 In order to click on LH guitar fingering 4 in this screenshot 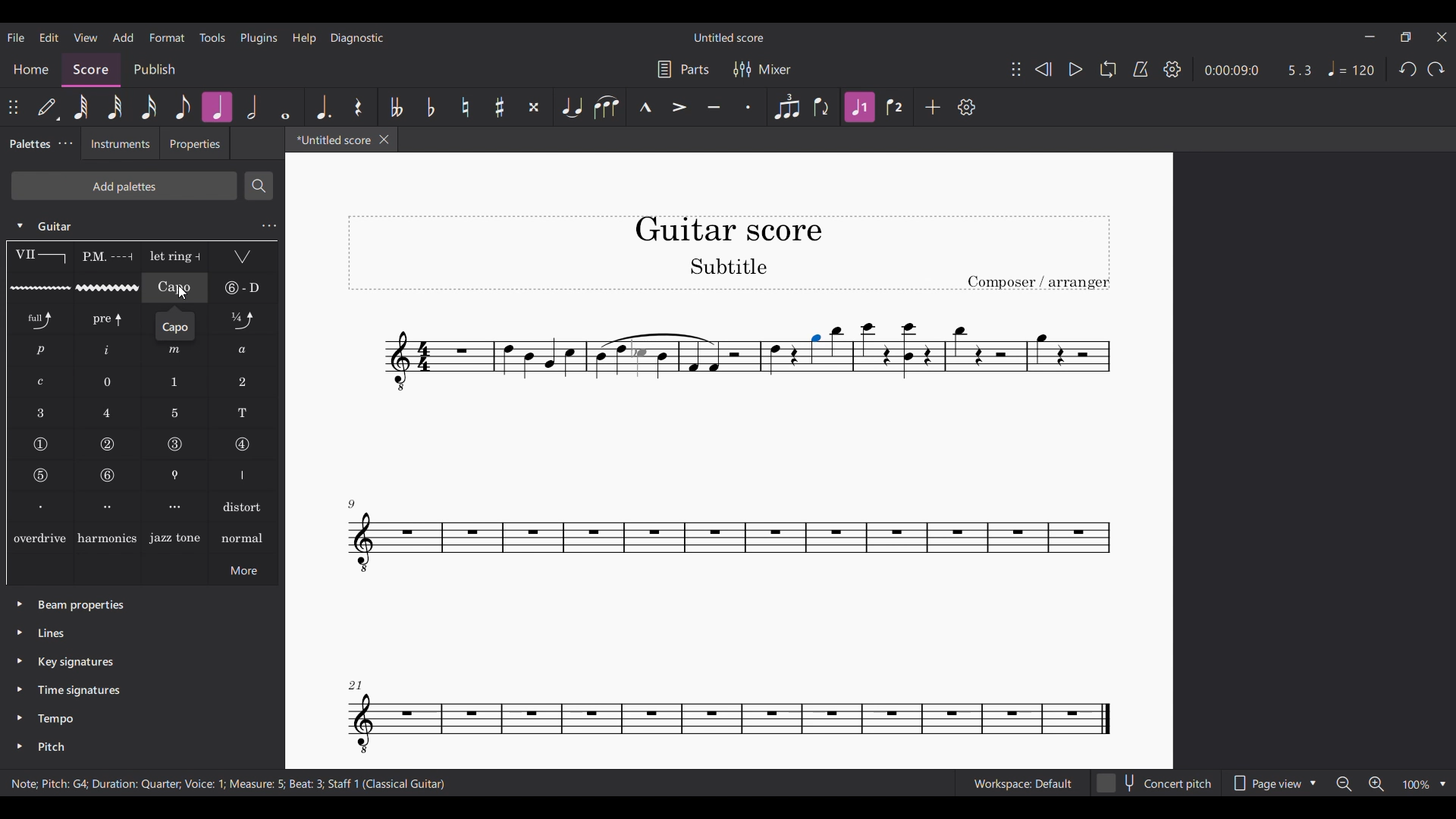, I will do `click(108, 413)`.